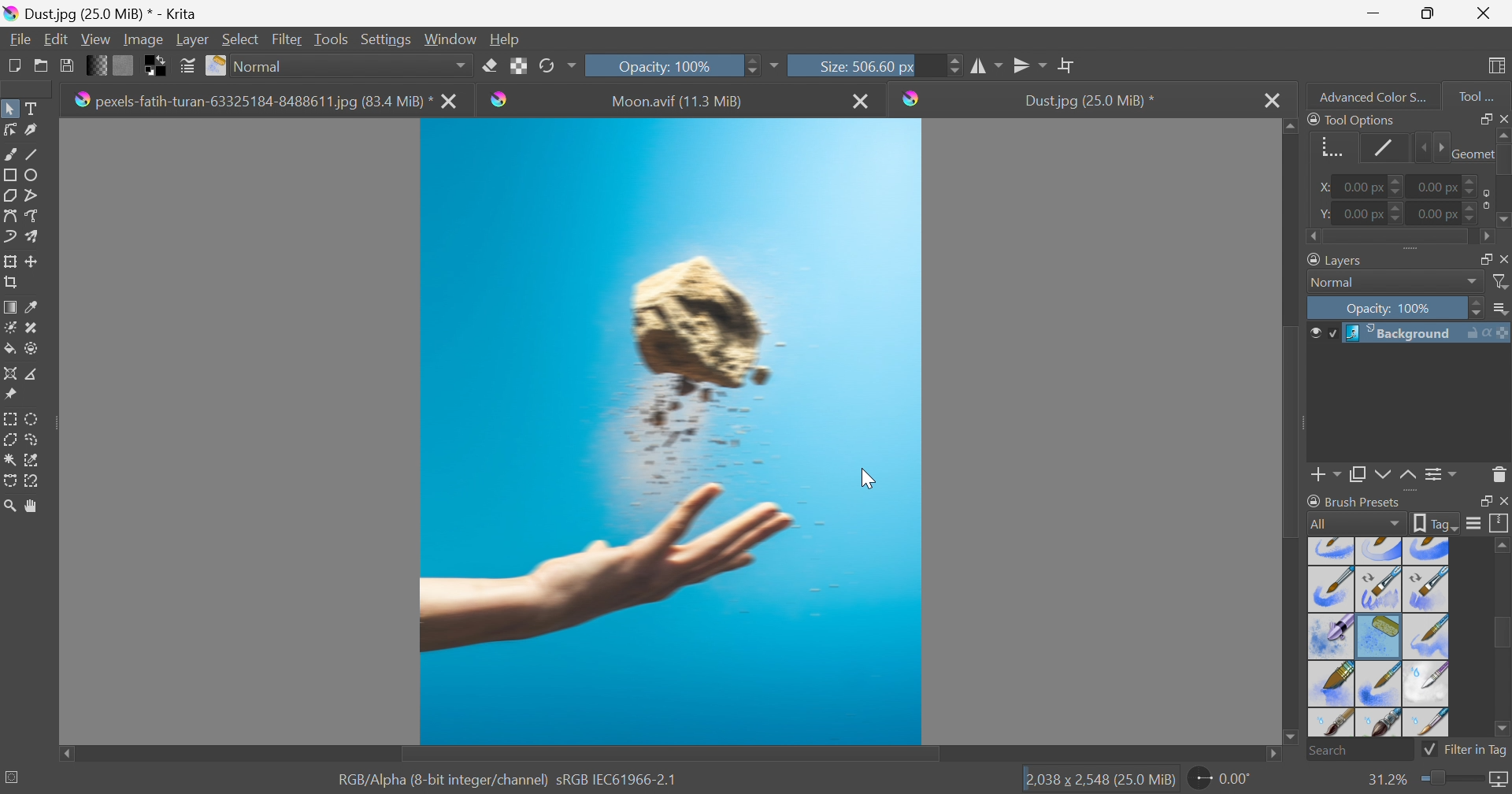  What do you see at coordinates (36, 131) in the screenshot?
I see `Calligraphy` at bounding box center [36, 131].